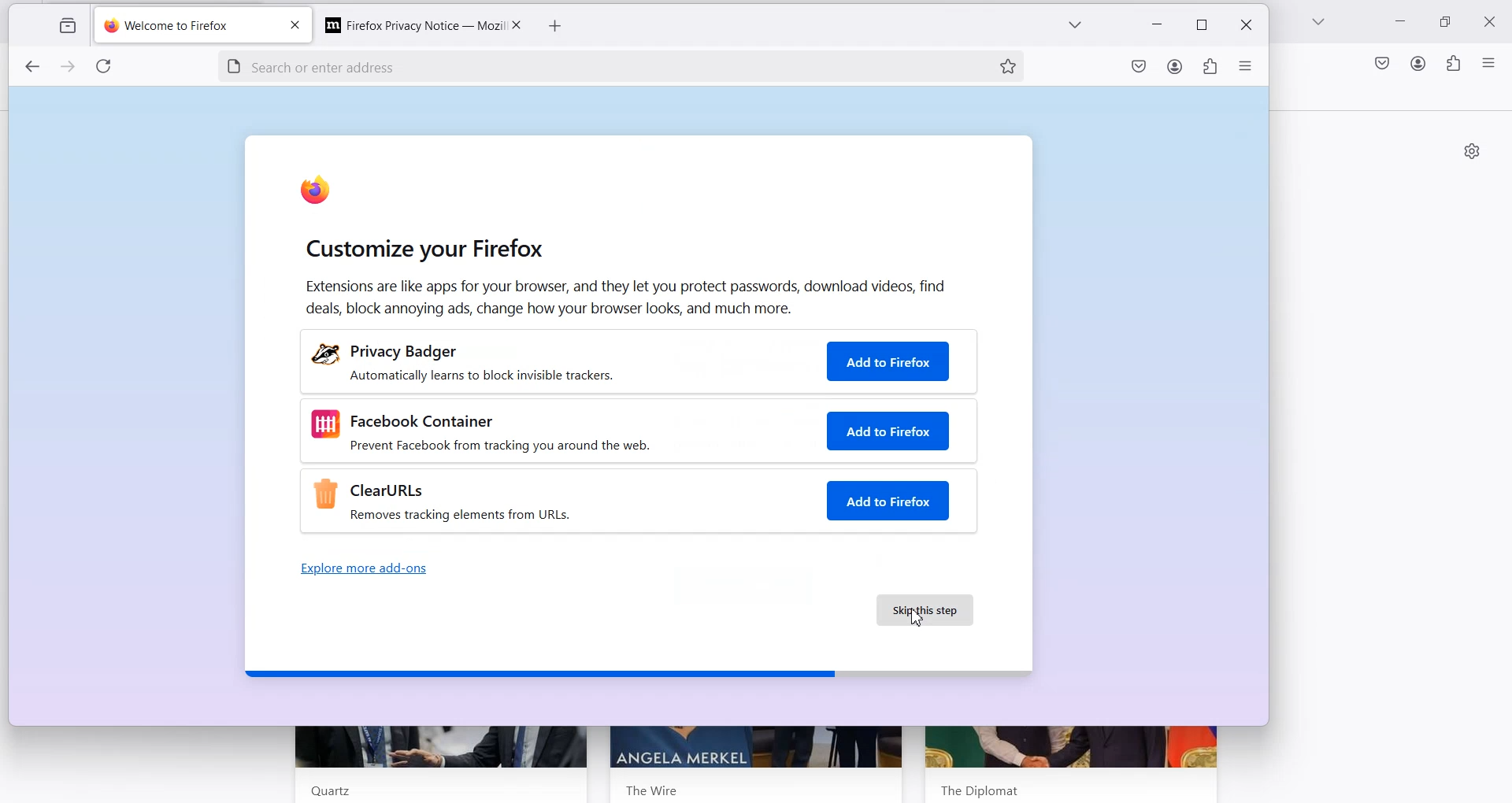  Describe the element at coordinates (1503, 197) in the screenshot. I see `vertical scrollbar` at that location.